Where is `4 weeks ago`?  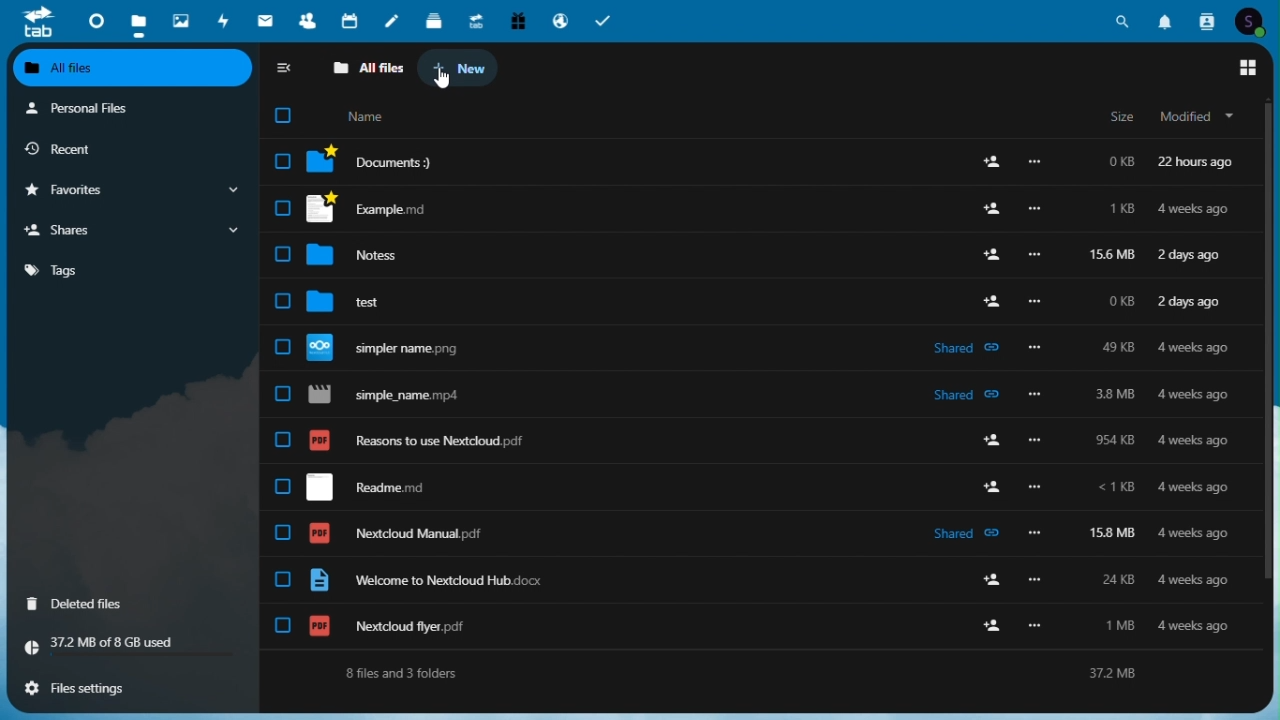
4 weeks ago is located at coordinates (1194, 489).